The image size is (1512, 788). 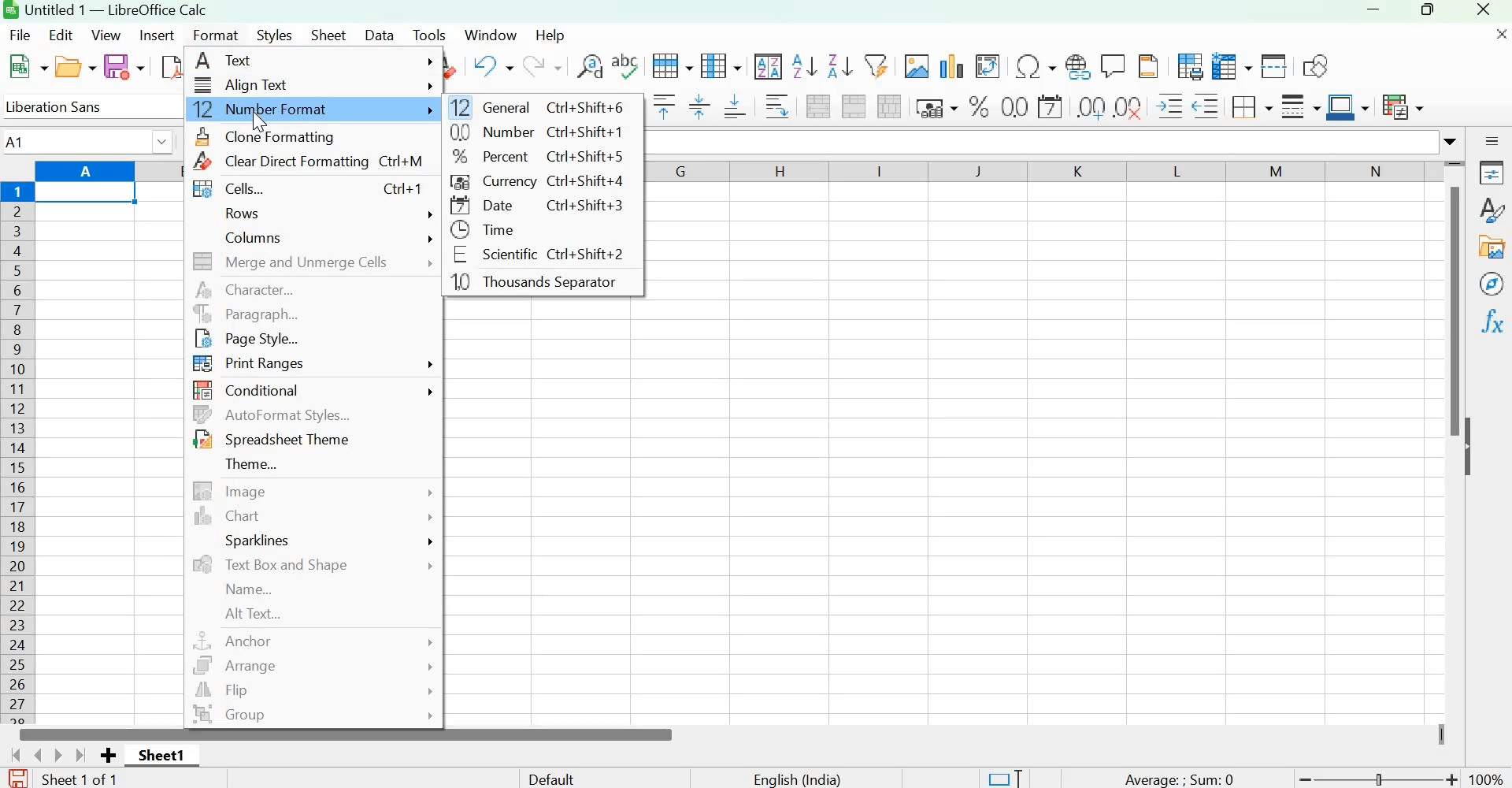 I want to click on Export directly as PDF, so click(x=170, y=69).